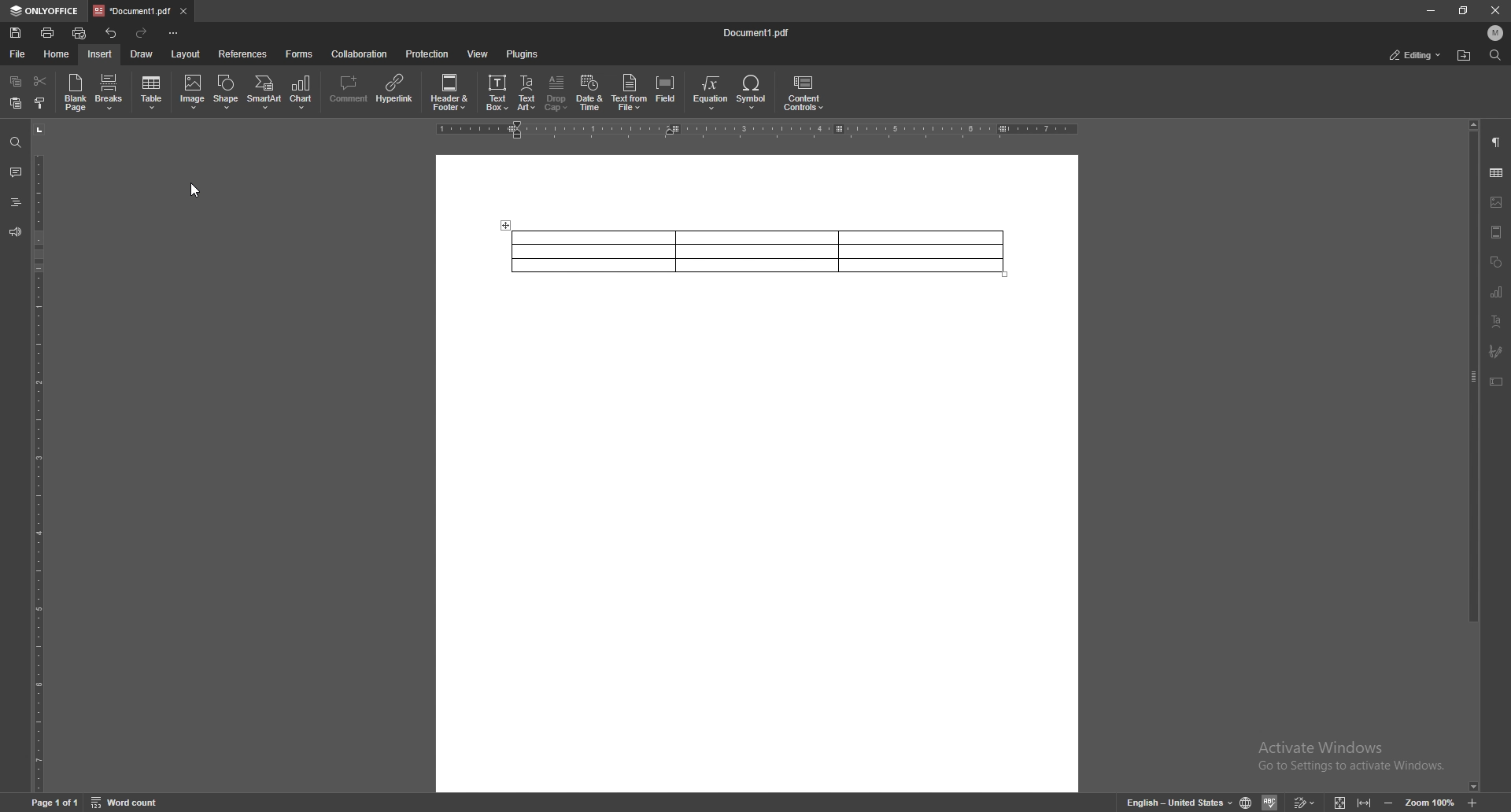 This screenshot has width=1511, height=812. I want to click on tab, so click(131, 10).